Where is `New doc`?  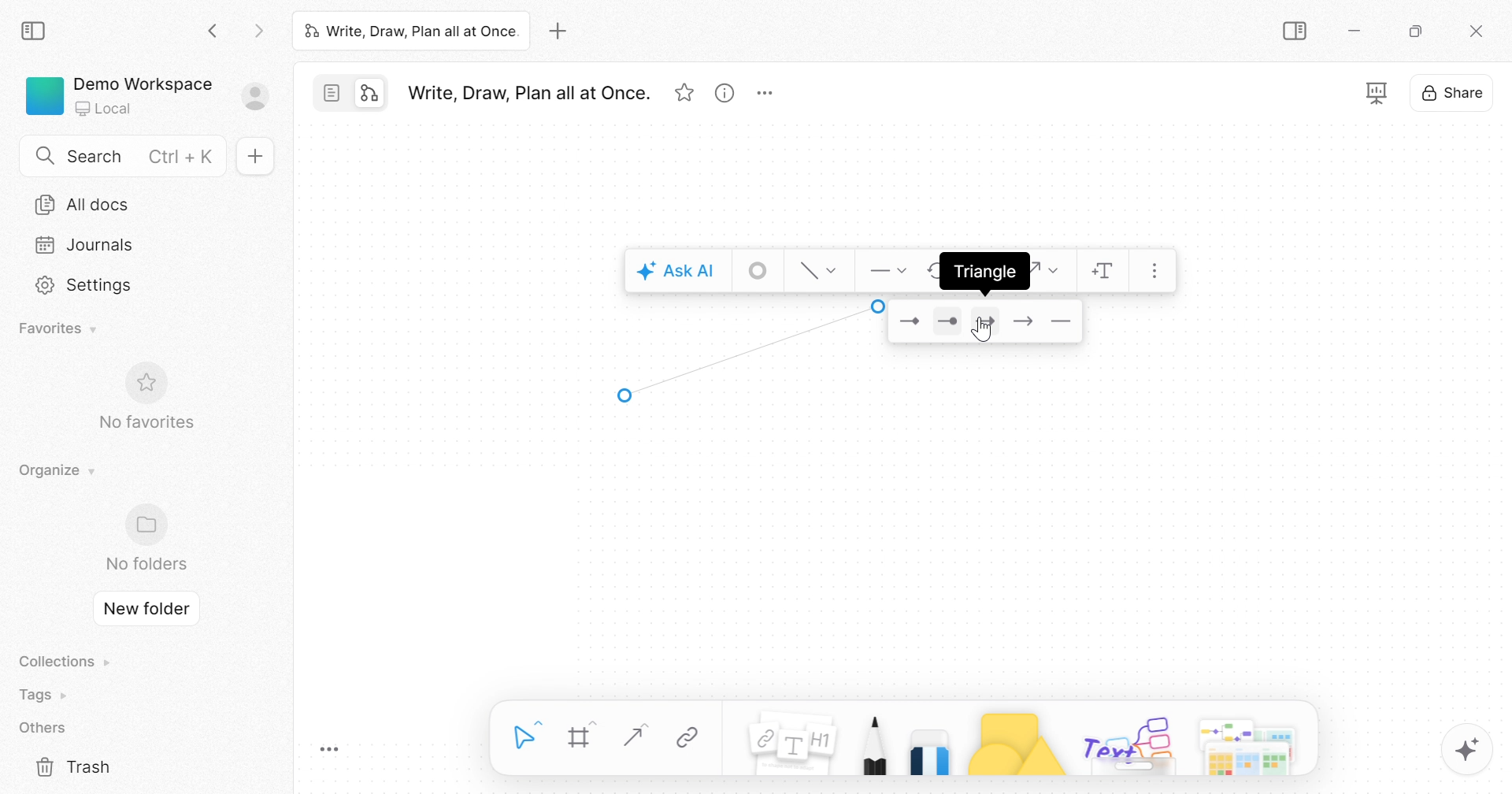 New doc is located at coordinates (258, 157).